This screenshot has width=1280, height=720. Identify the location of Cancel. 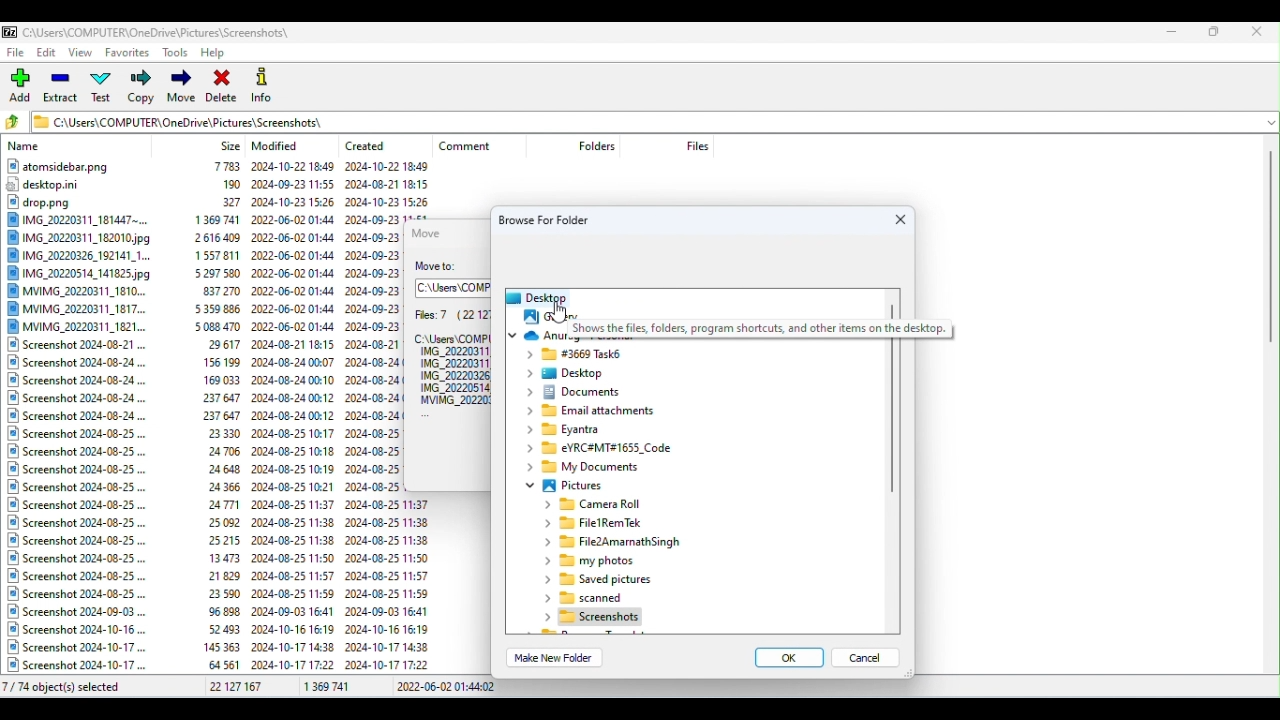
(872, 662).